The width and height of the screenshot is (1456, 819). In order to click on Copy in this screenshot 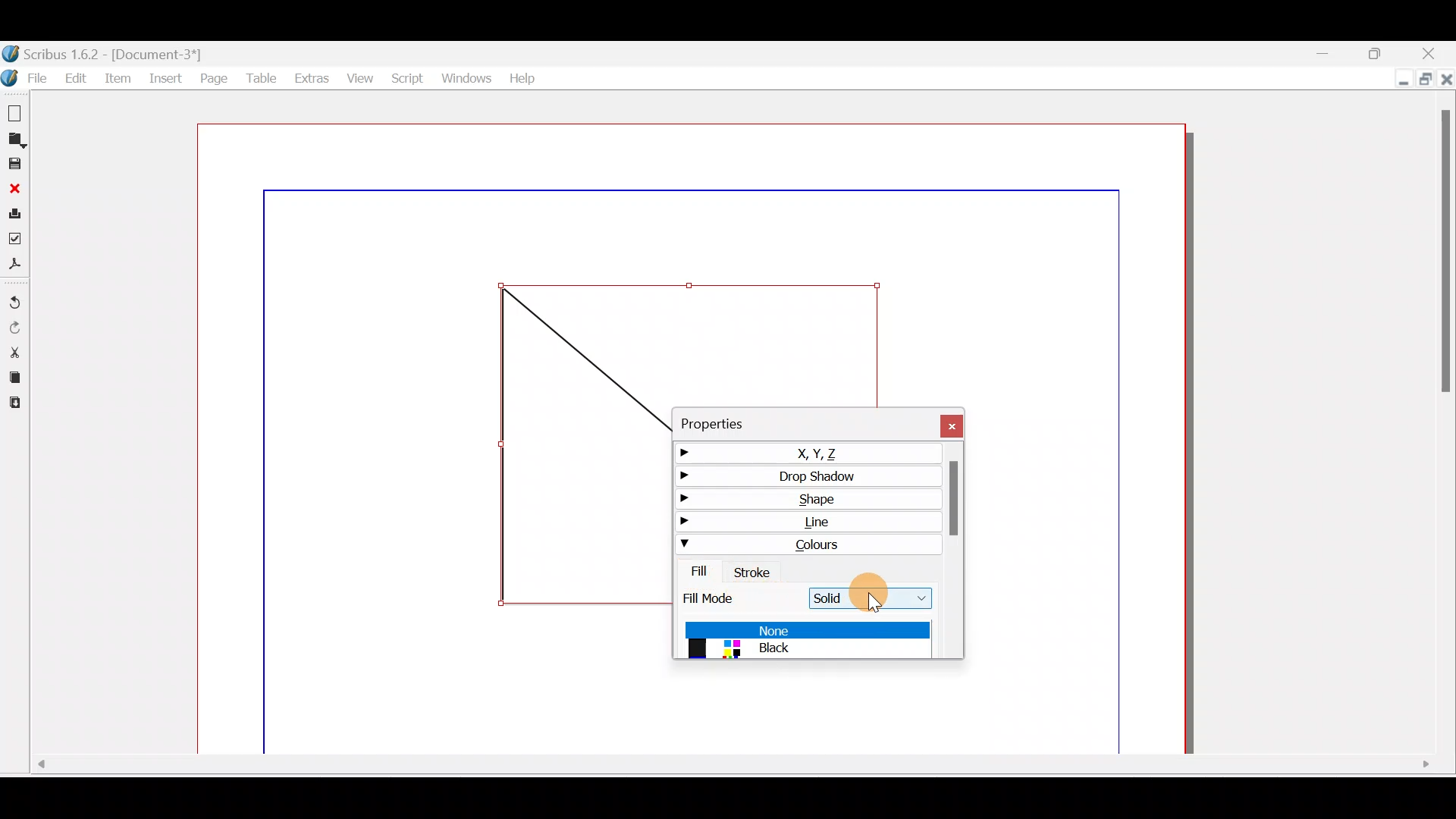, I will do `click(14, 375)`.